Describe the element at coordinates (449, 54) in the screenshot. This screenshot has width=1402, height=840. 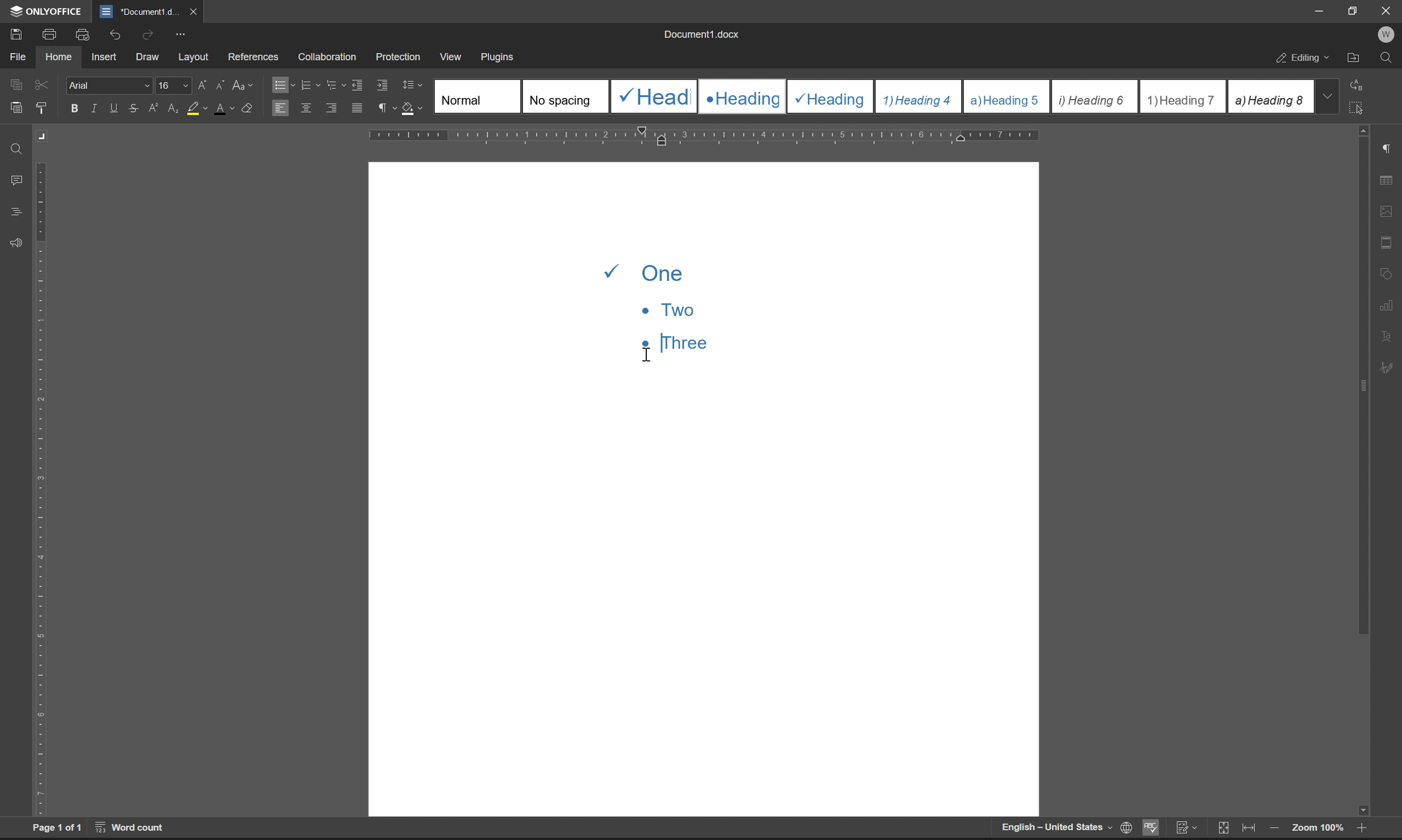
I see `view` at that location.